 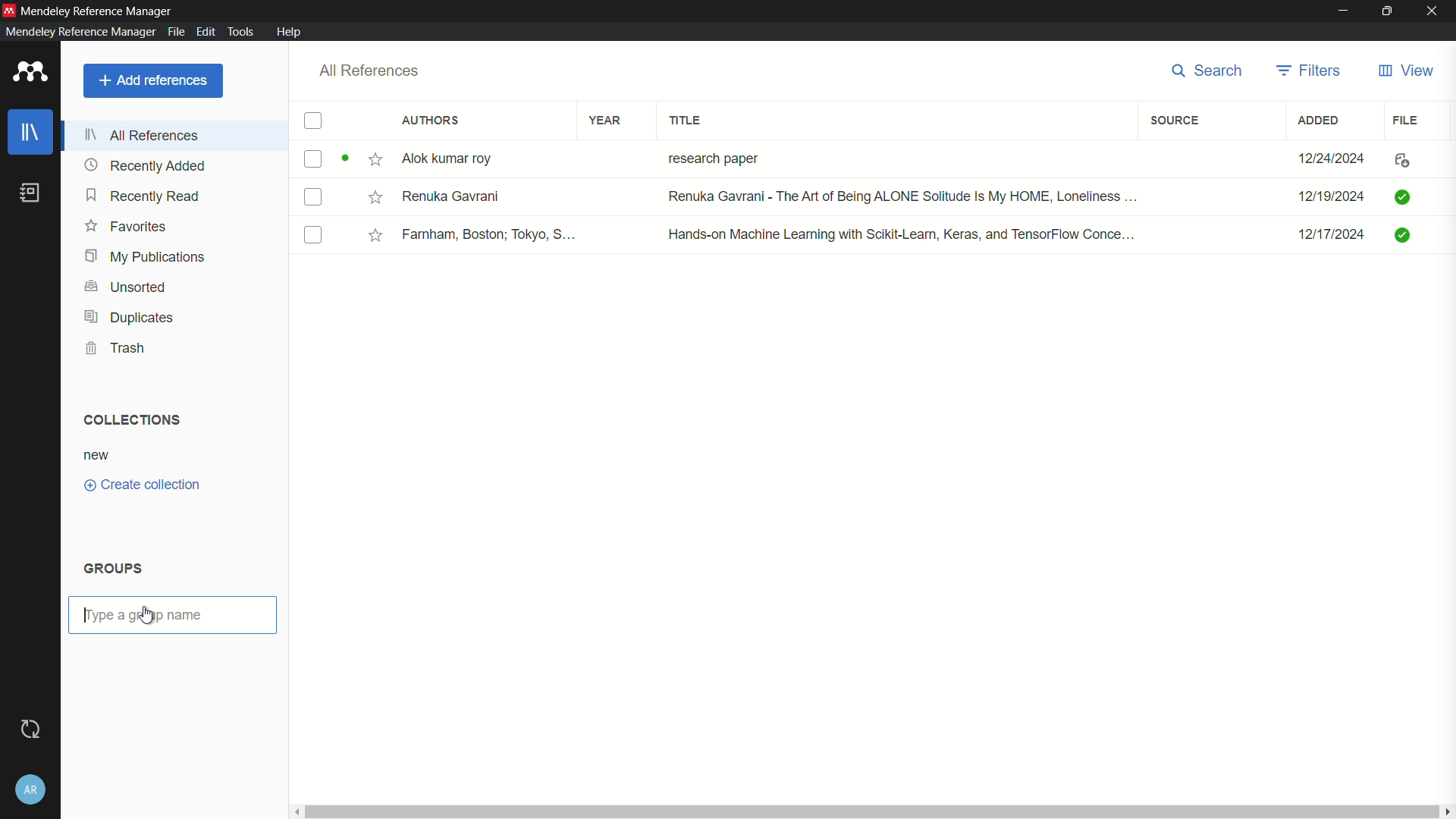 I want to click on source, so click(x=1174, y=121).